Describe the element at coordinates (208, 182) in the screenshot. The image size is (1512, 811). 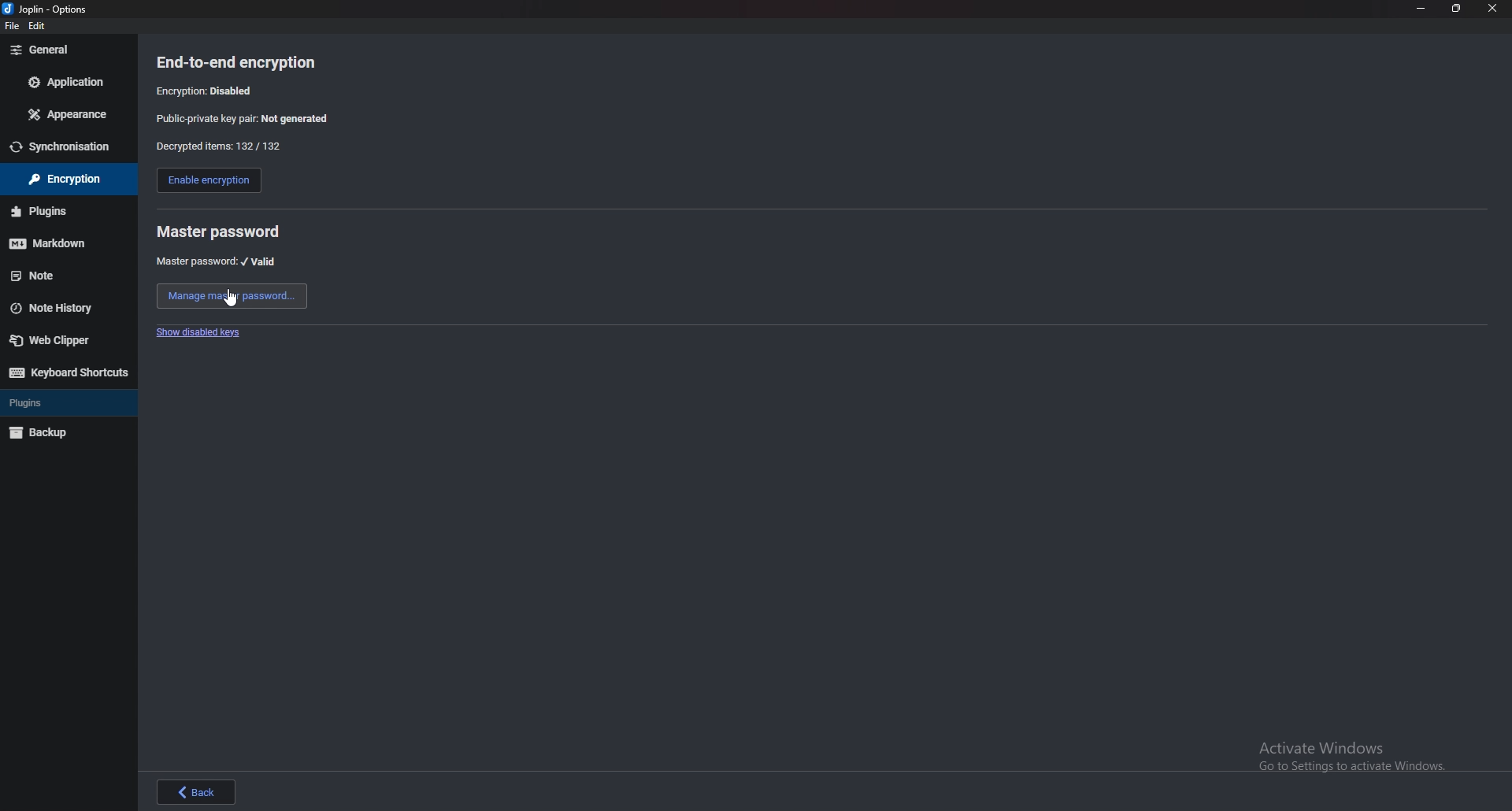
I see `enable encryption` at that location.